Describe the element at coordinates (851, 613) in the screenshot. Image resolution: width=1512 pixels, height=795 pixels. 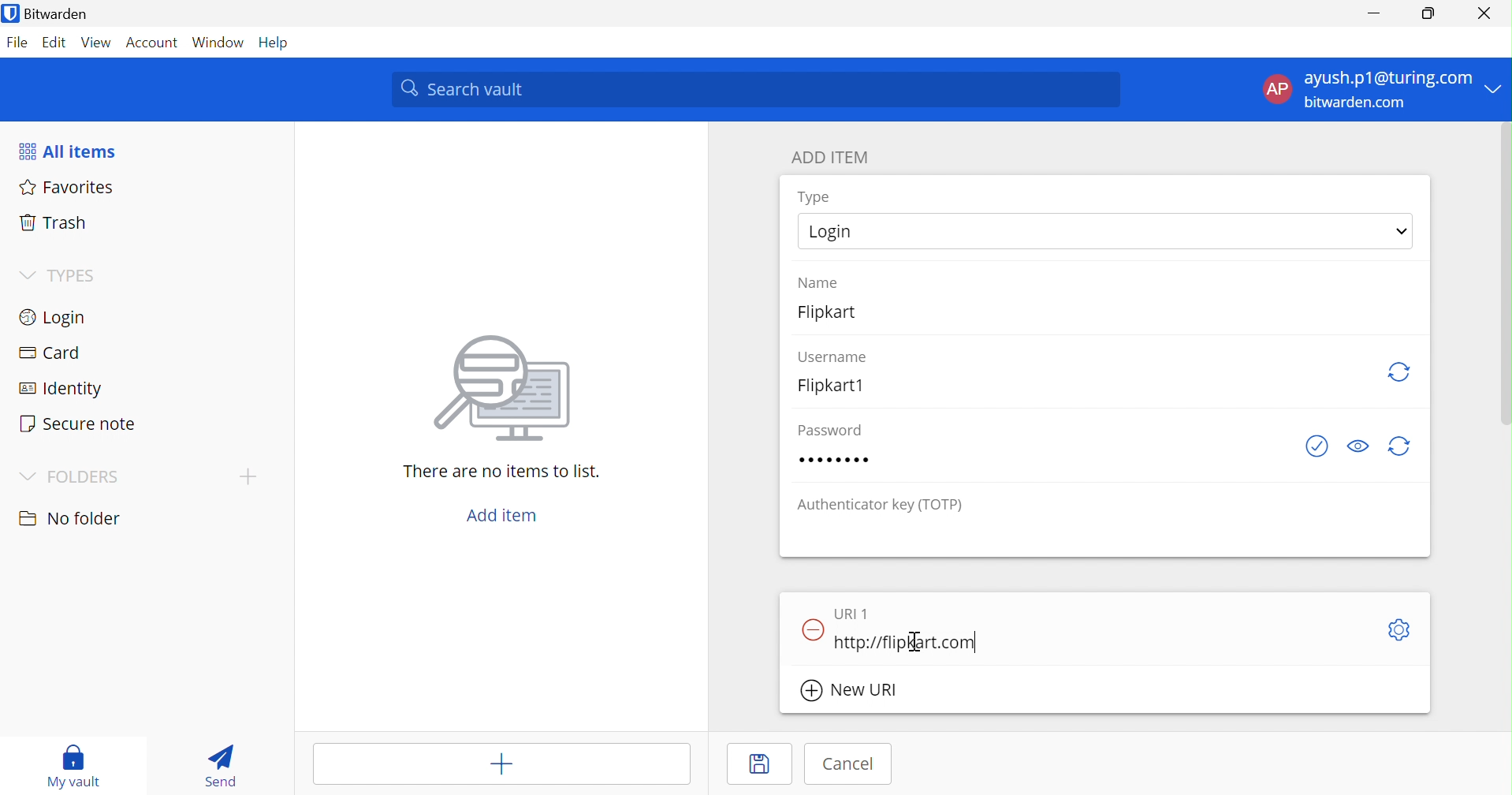
I see `URL 1` at that location.